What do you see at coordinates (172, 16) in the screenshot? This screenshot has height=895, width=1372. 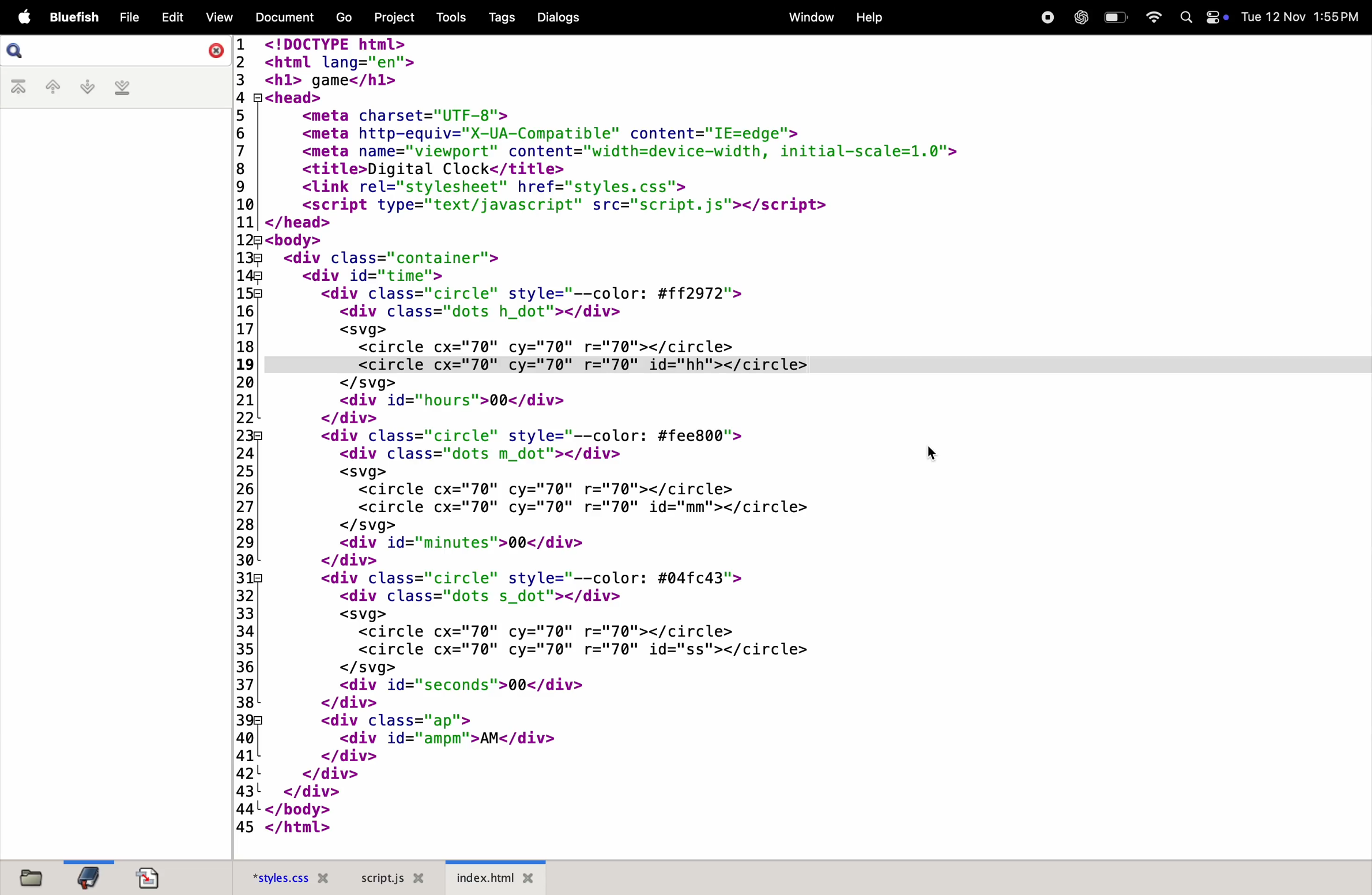 I see `edit` at bounding box center [172, 16].